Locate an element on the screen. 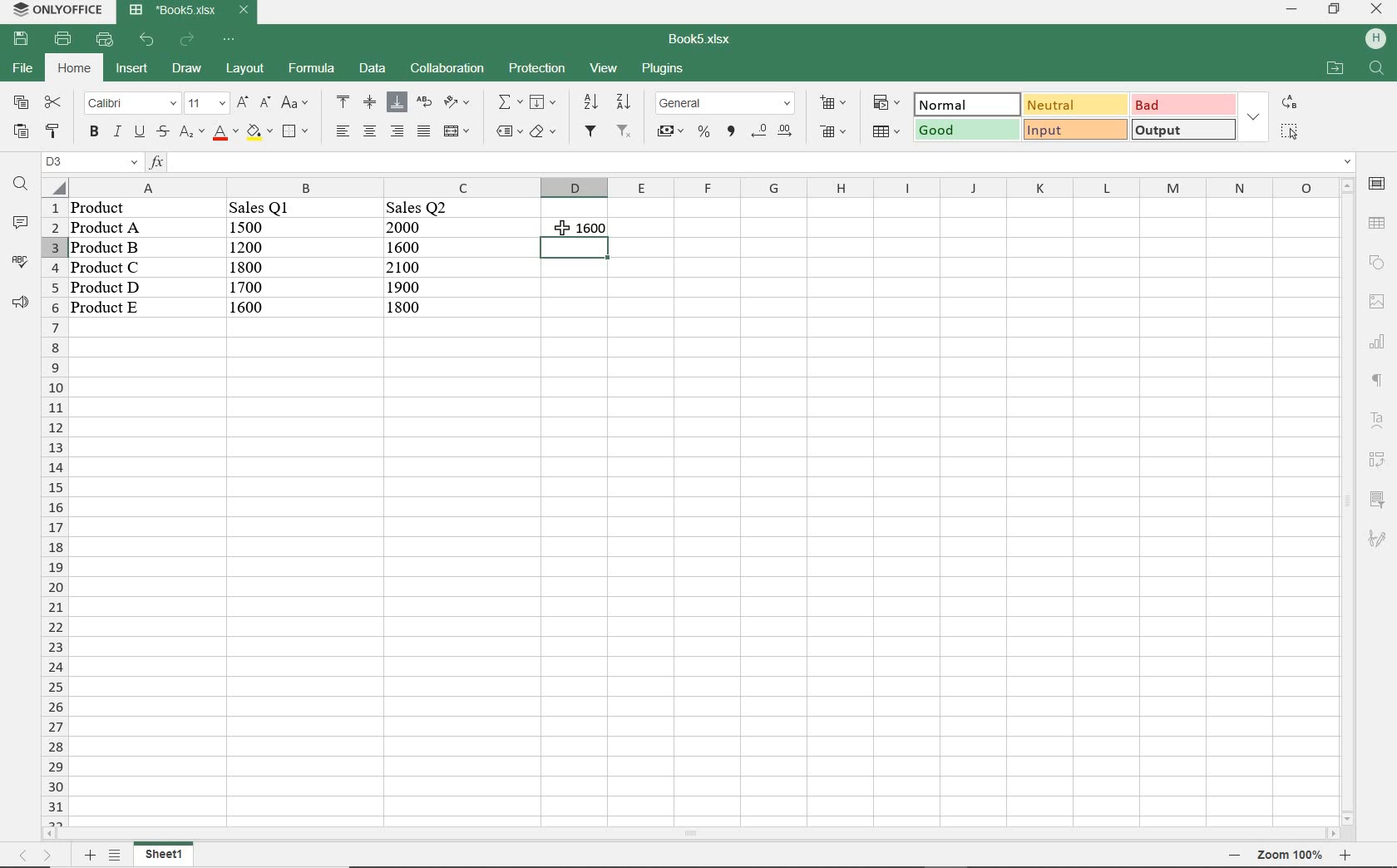 Image resolution: width=1397 pixels, height=868 pixels. quick print is located at coordinates (106, 38).